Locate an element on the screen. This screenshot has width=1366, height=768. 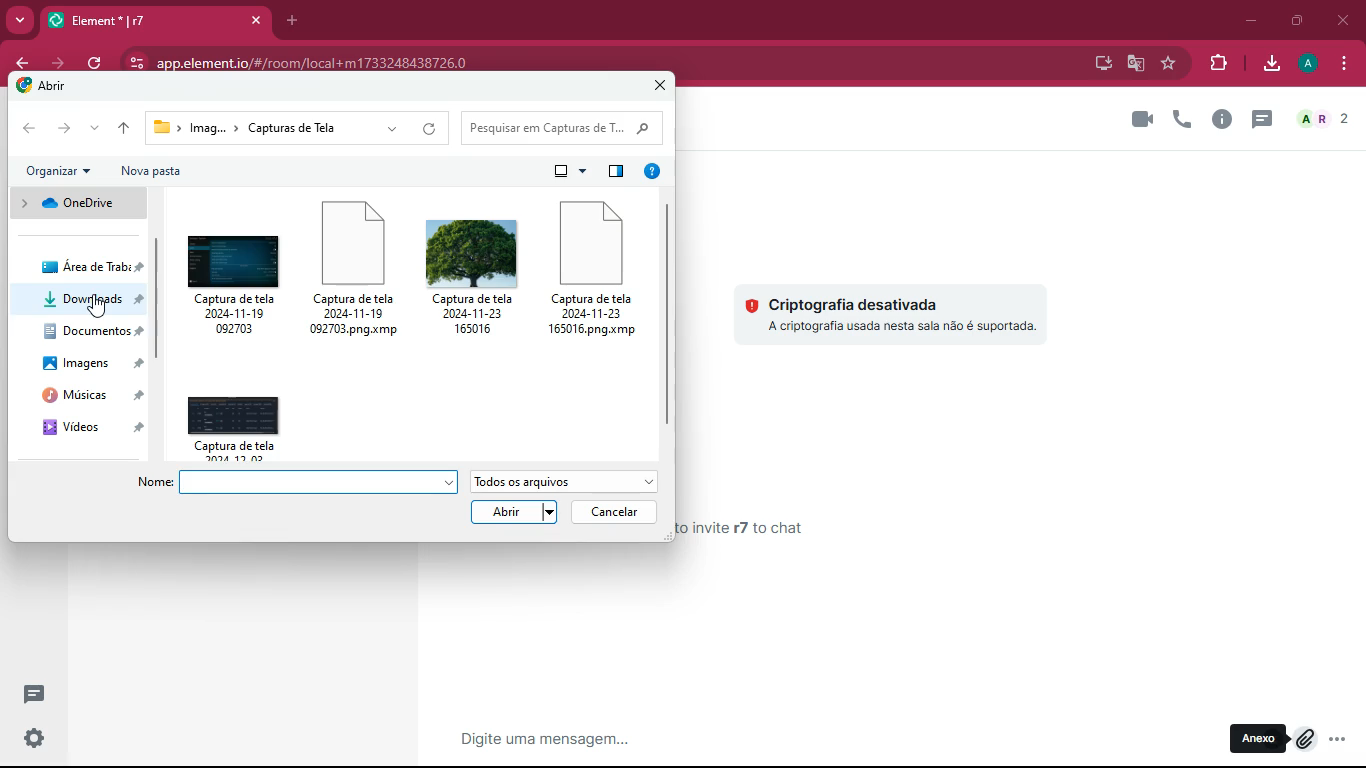
cancel is located at coordinates (616, 513).